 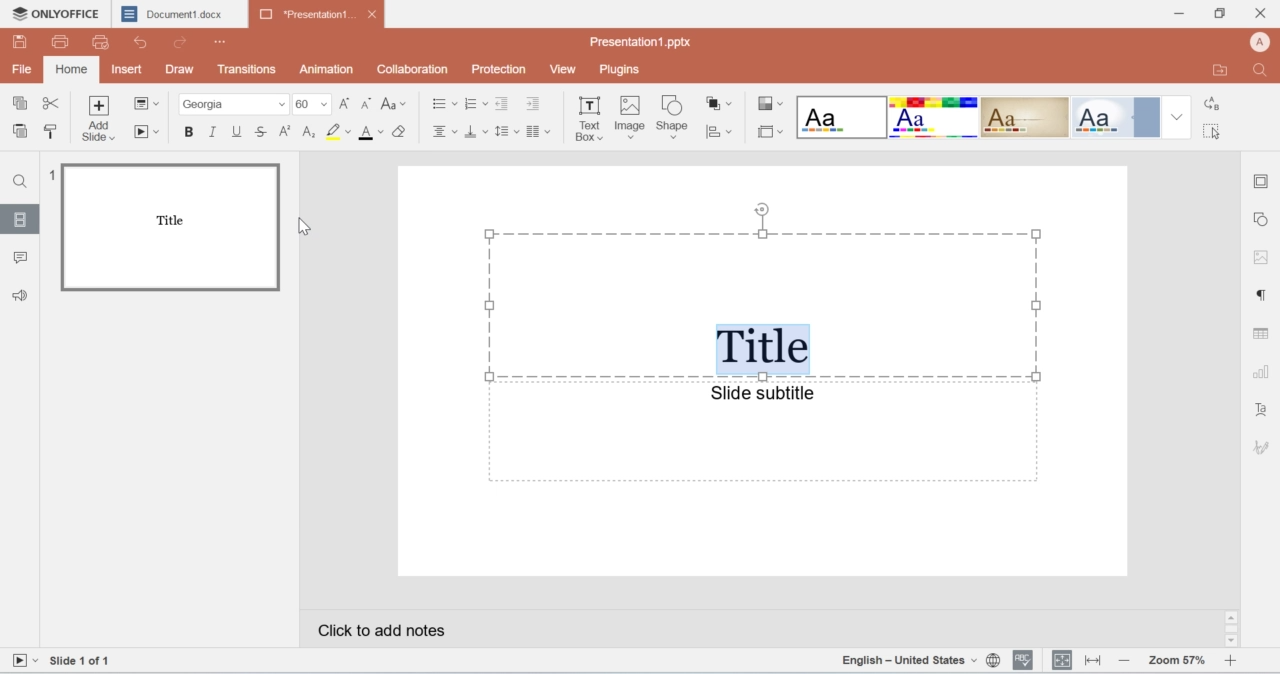 I want to click on slides, so click(x=21, y=222).